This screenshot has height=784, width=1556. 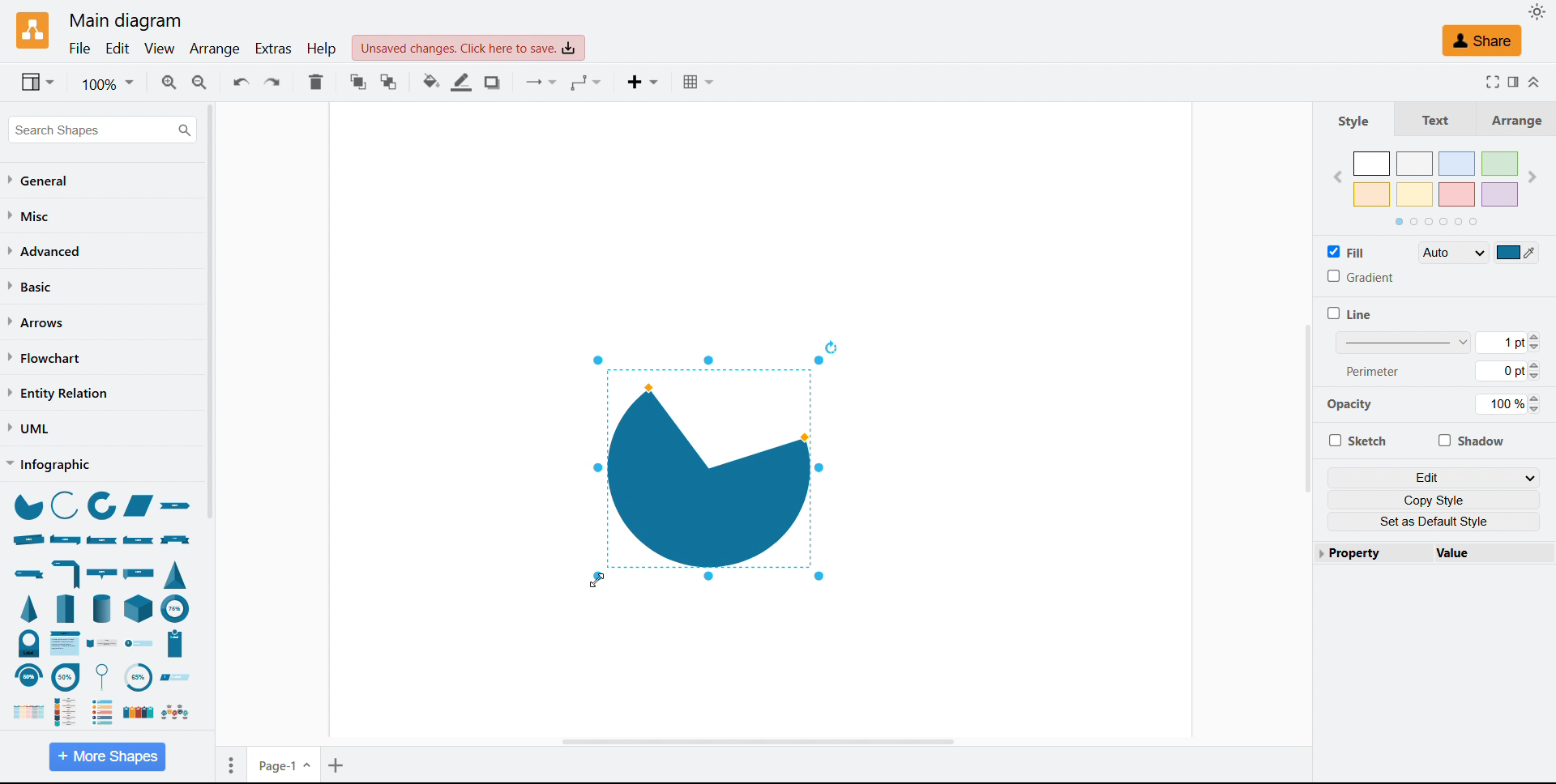 What do you see at coordinates (107, 83) in the screenshot?
I see `Zoom level ` at bounding box center [107, 83].